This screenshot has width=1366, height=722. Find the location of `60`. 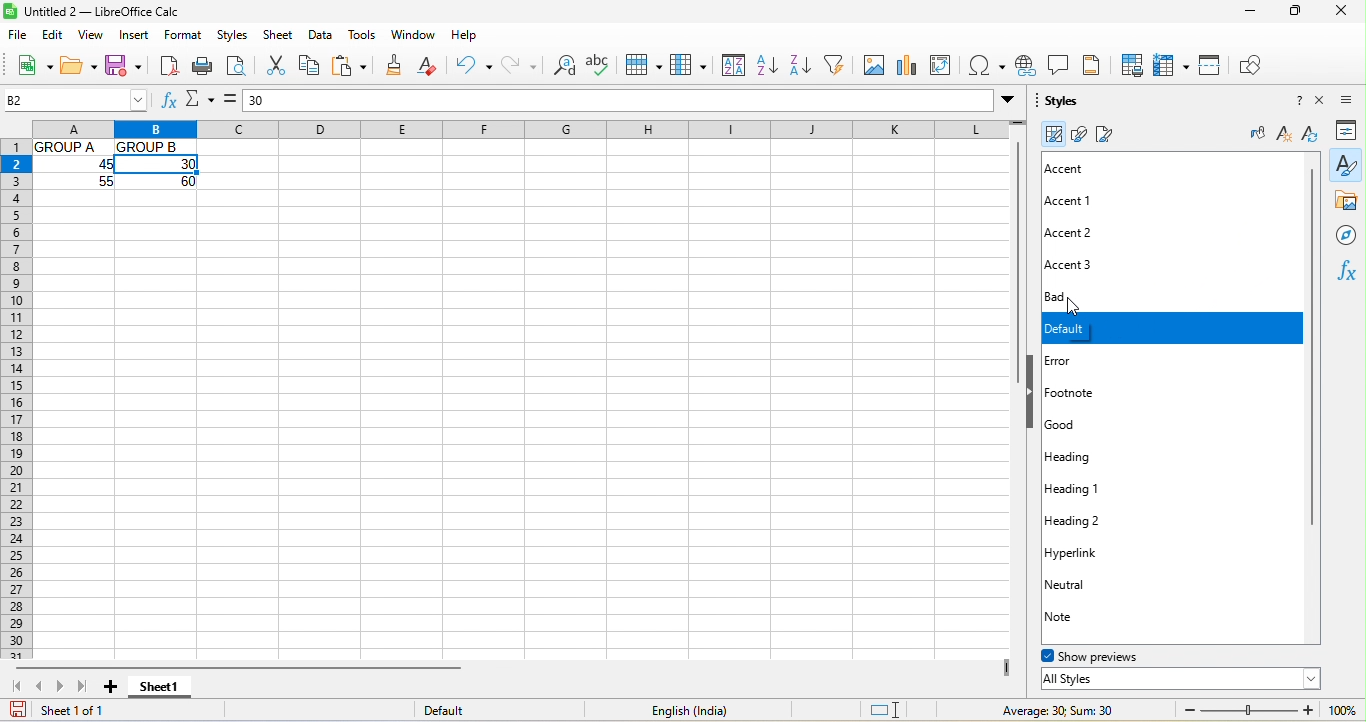

60 is located at coordinates (175, 181).